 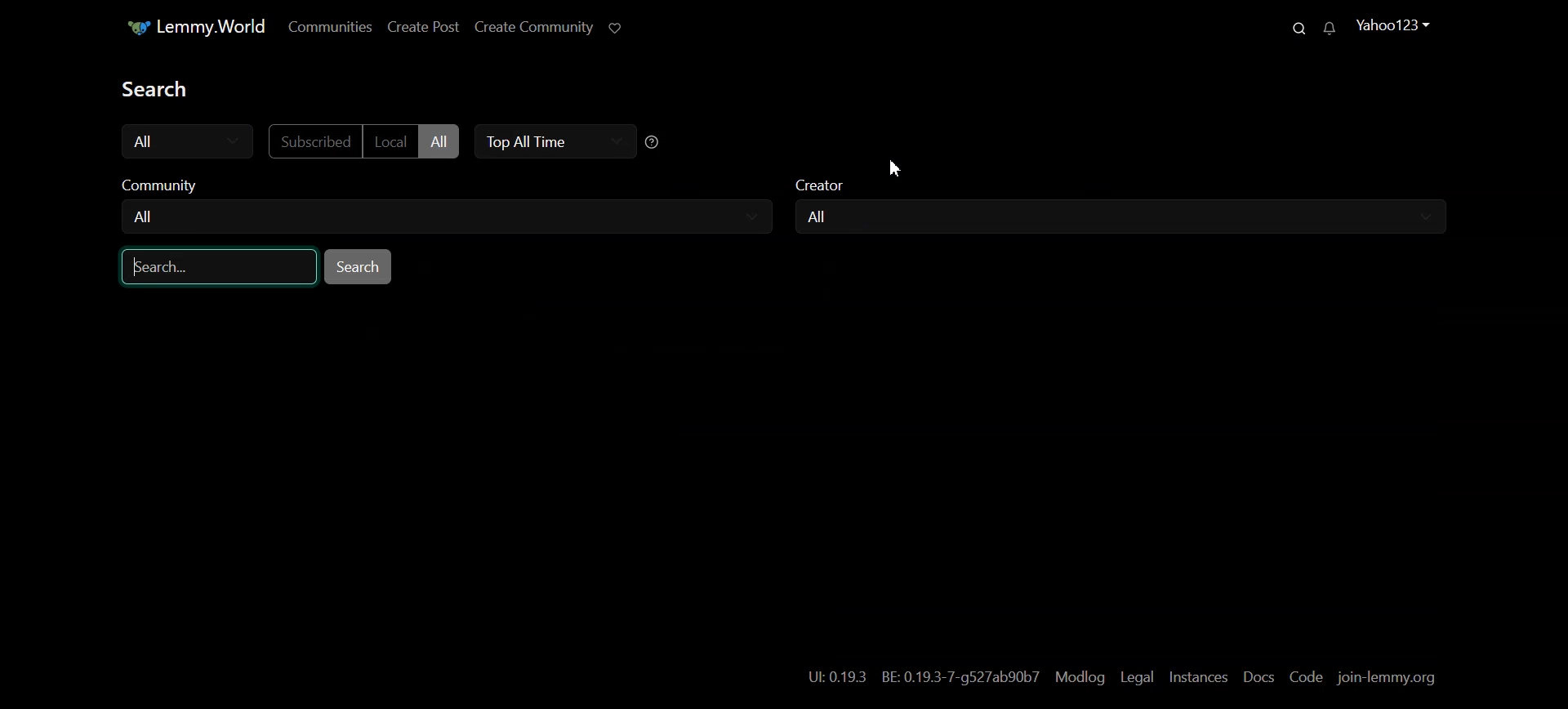 What do you see at coordinates (532, 29) in the screenshot?
I see `Create Community` at bounding box center [532, 29].